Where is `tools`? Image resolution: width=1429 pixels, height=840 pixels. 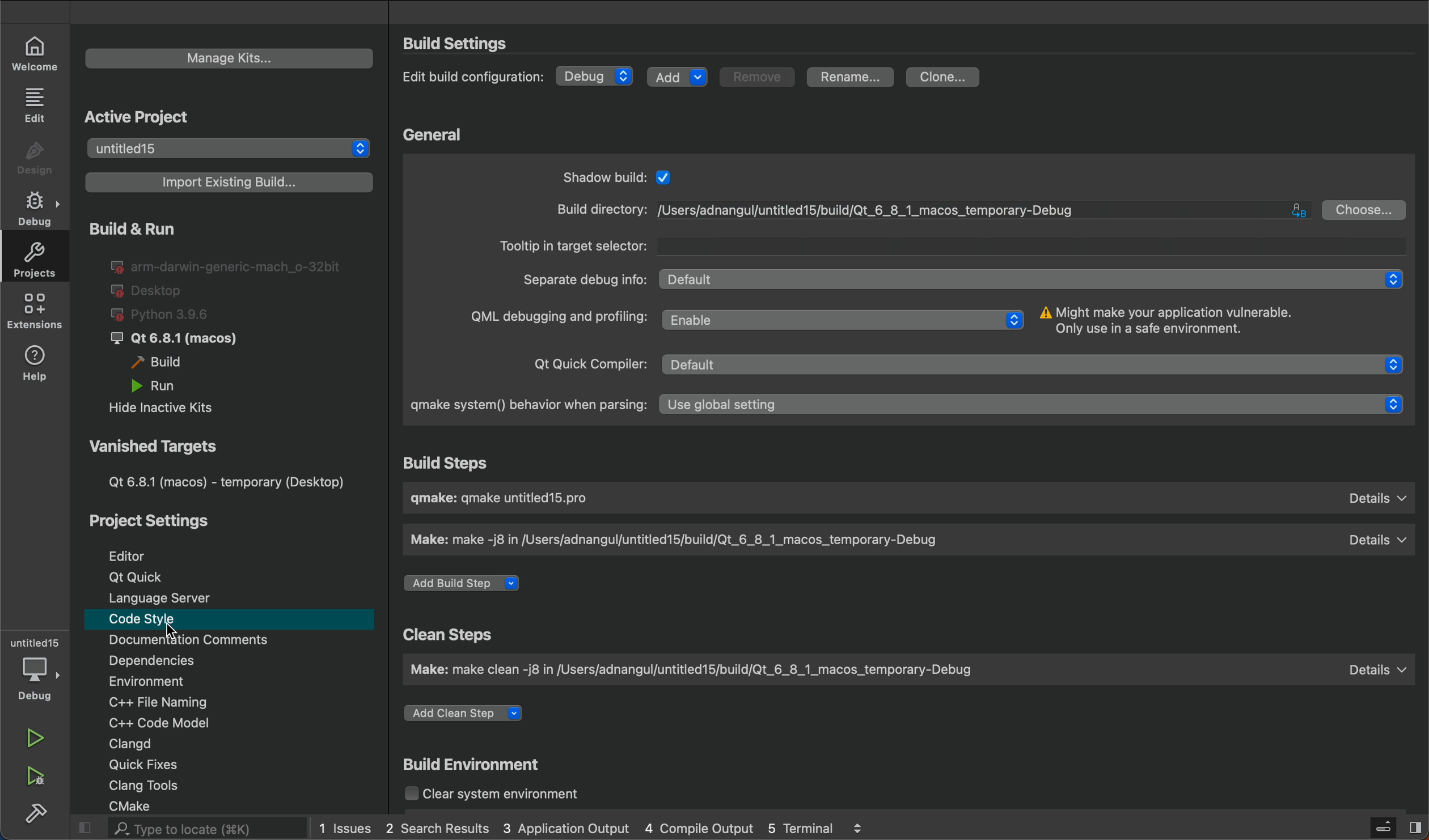 tools is located at coordinates (158, 786).